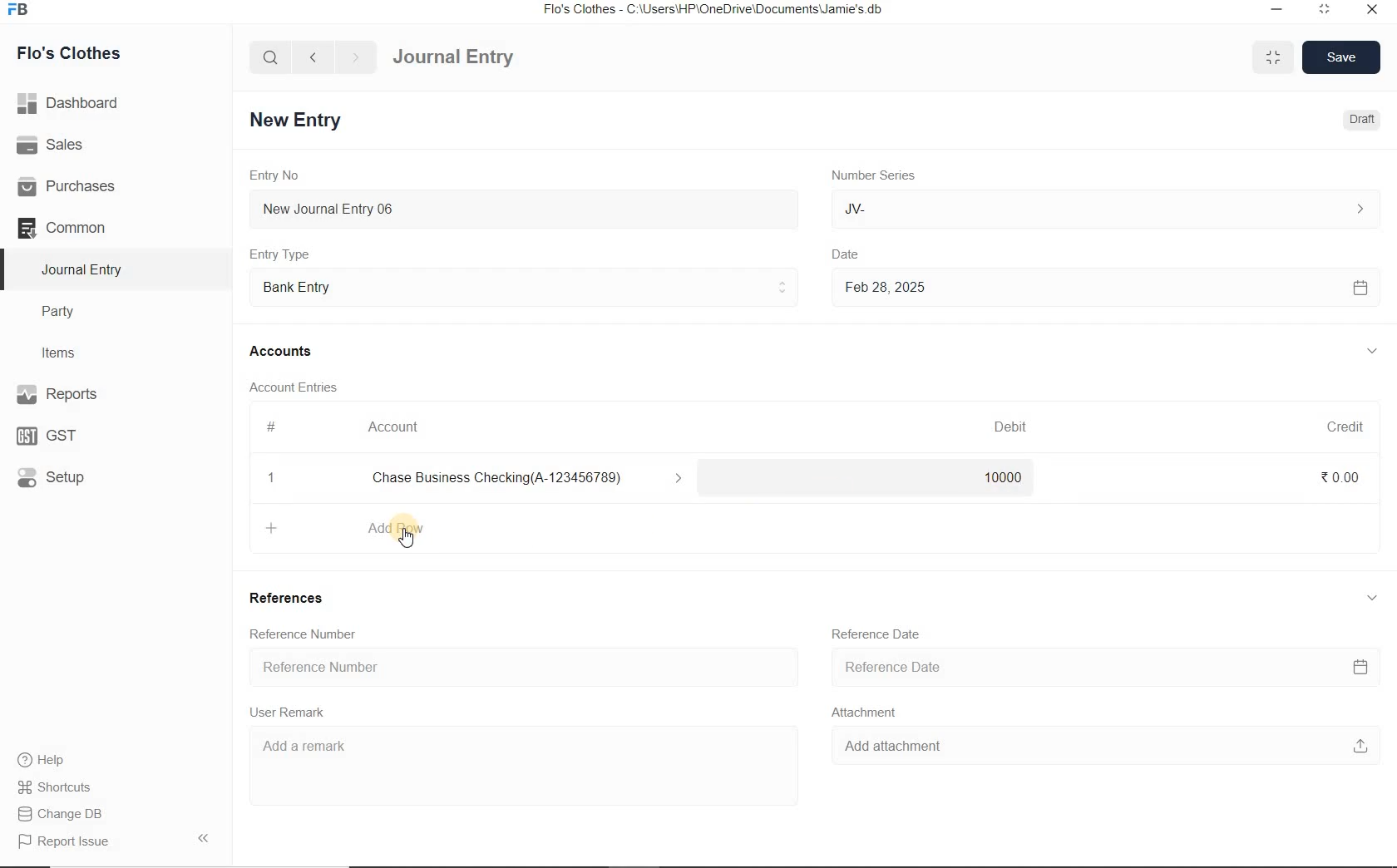 The height and width of the screenshot is (868, 1397). I want to click on User Remark, so click(292, 713).